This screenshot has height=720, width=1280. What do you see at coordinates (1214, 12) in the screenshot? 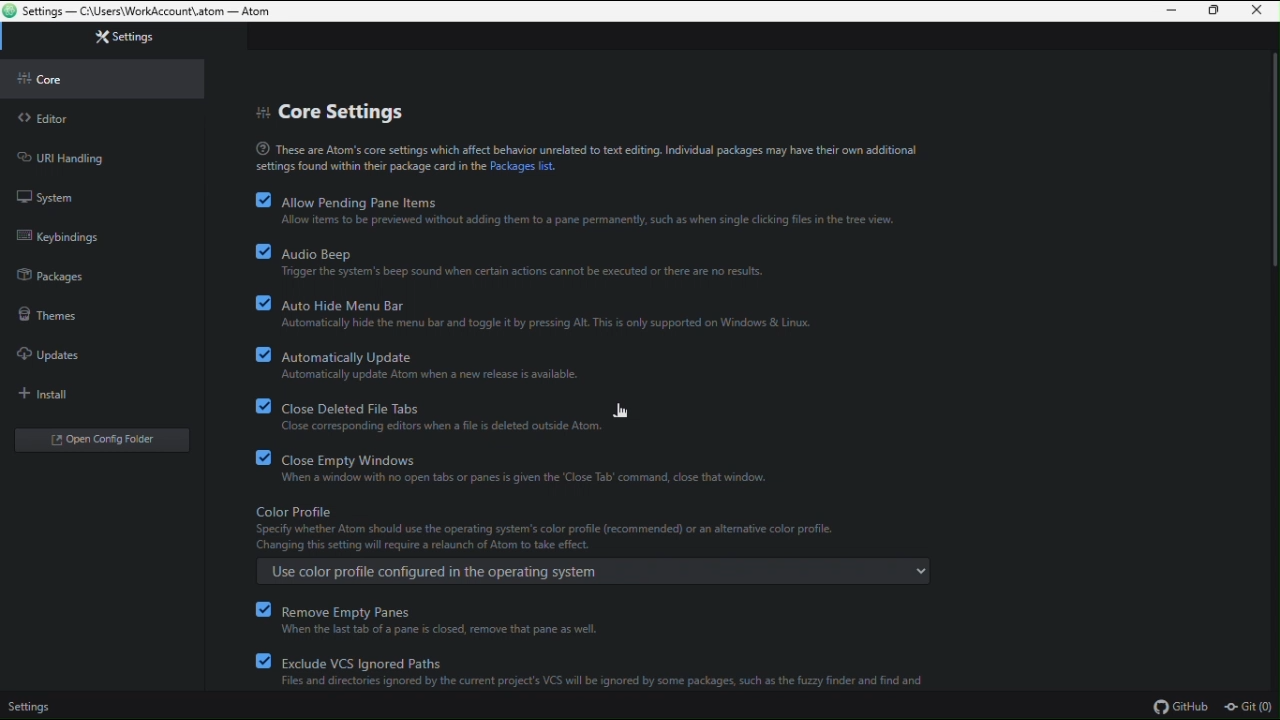
I see `restore` at bounding box center [1214, 12].